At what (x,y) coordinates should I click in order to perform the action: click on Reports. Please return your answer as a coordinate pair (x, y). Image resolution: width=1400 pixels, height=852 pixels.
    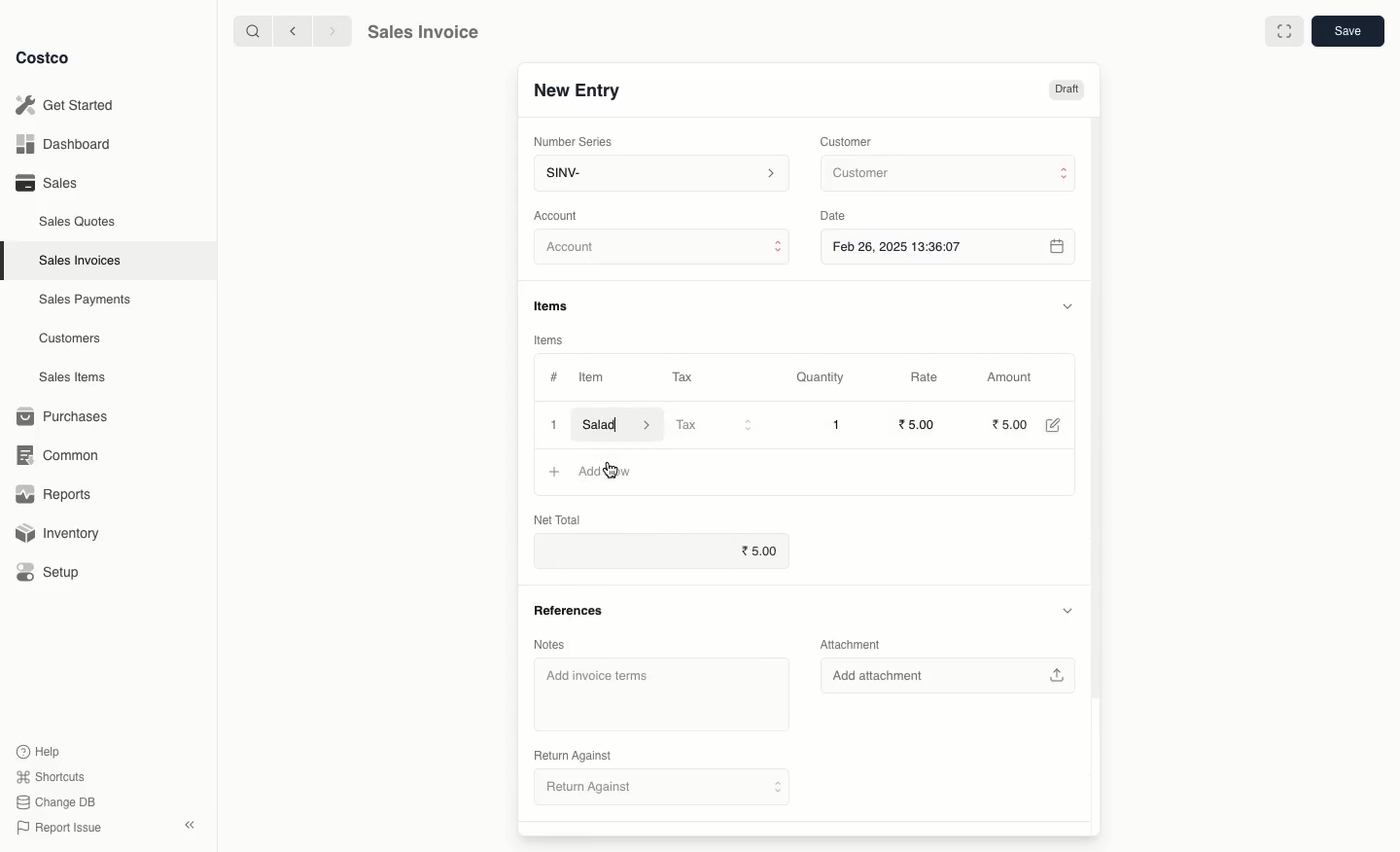
    Looking at the image, I should click on (54, 496).